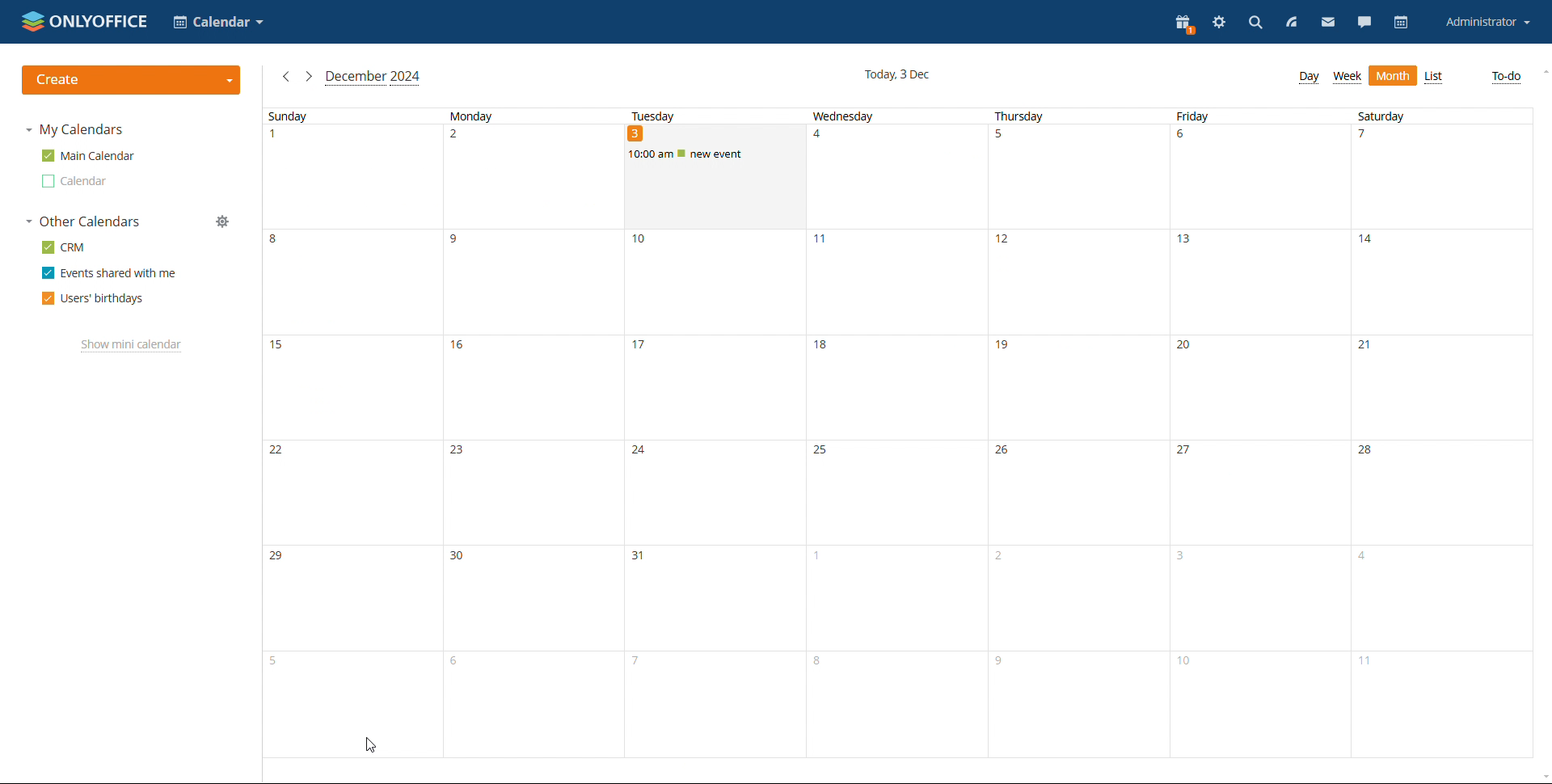  I want to click on 7, so click(712, 704).